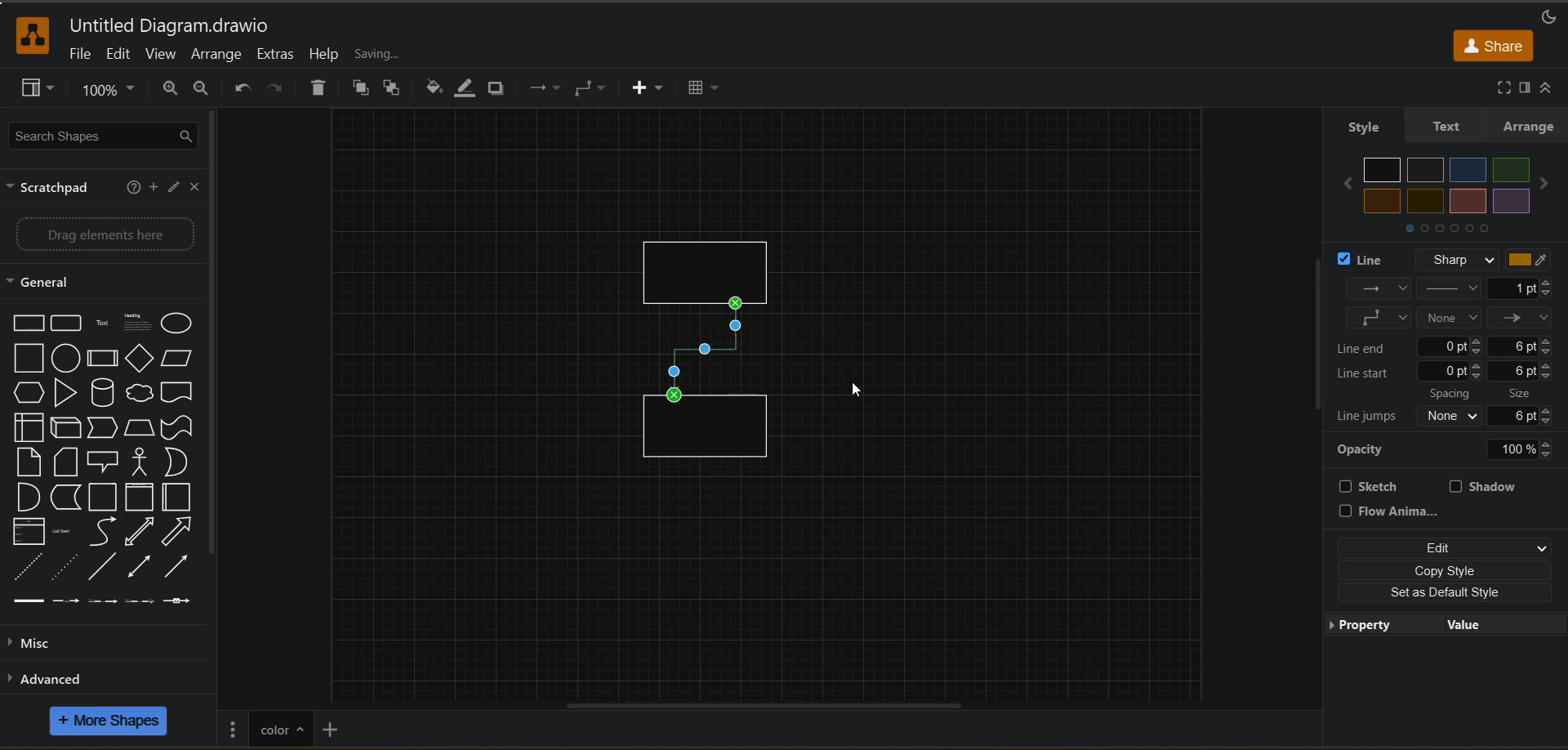 This screenshot has width=1568, height=750. What do you see at coordinates (1370, 346) in the screenshot?
I see `Line end` at bounding box center [1370, 346].